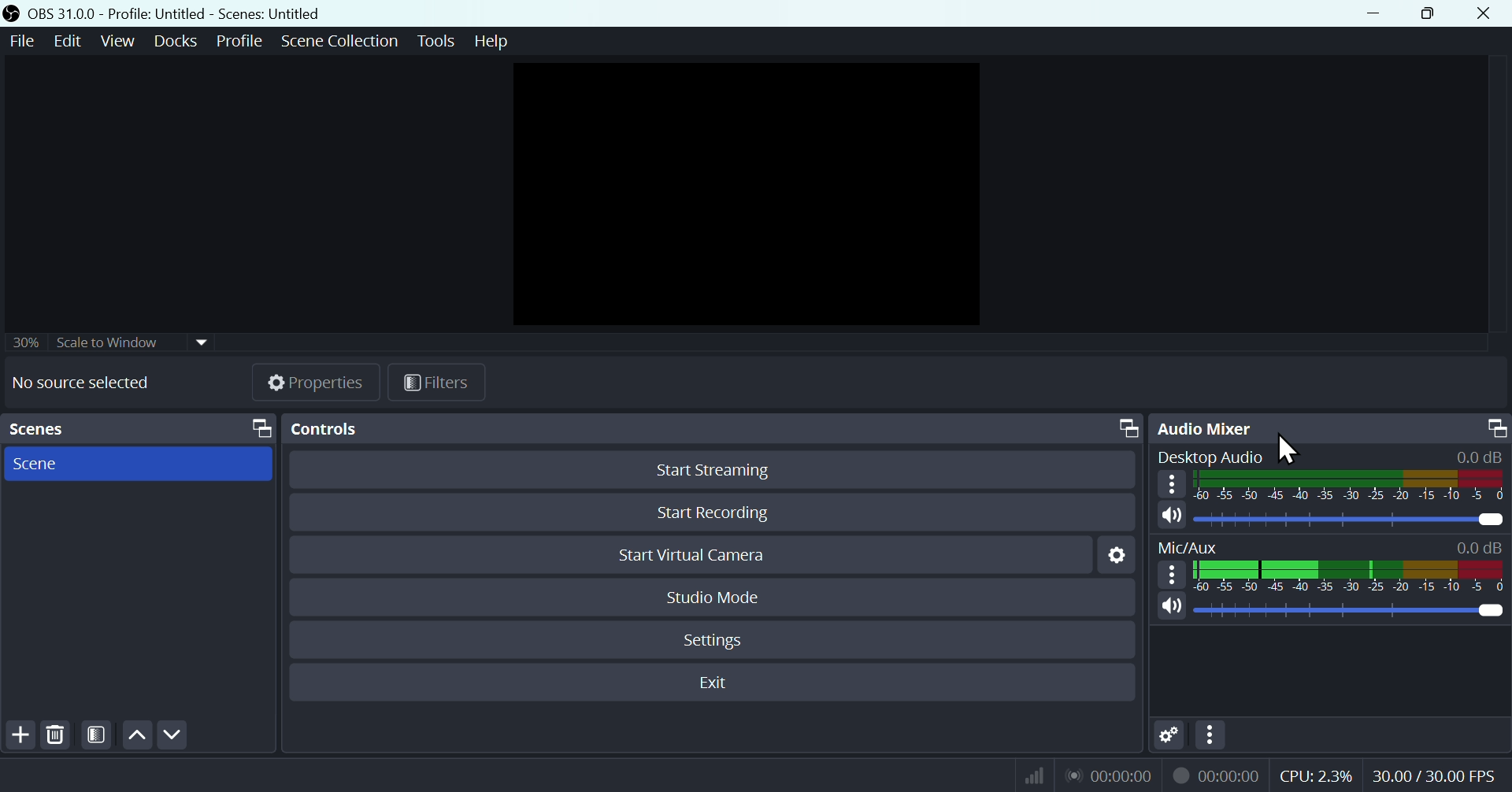  I want to click on (un)mute, so click(1169, 608).